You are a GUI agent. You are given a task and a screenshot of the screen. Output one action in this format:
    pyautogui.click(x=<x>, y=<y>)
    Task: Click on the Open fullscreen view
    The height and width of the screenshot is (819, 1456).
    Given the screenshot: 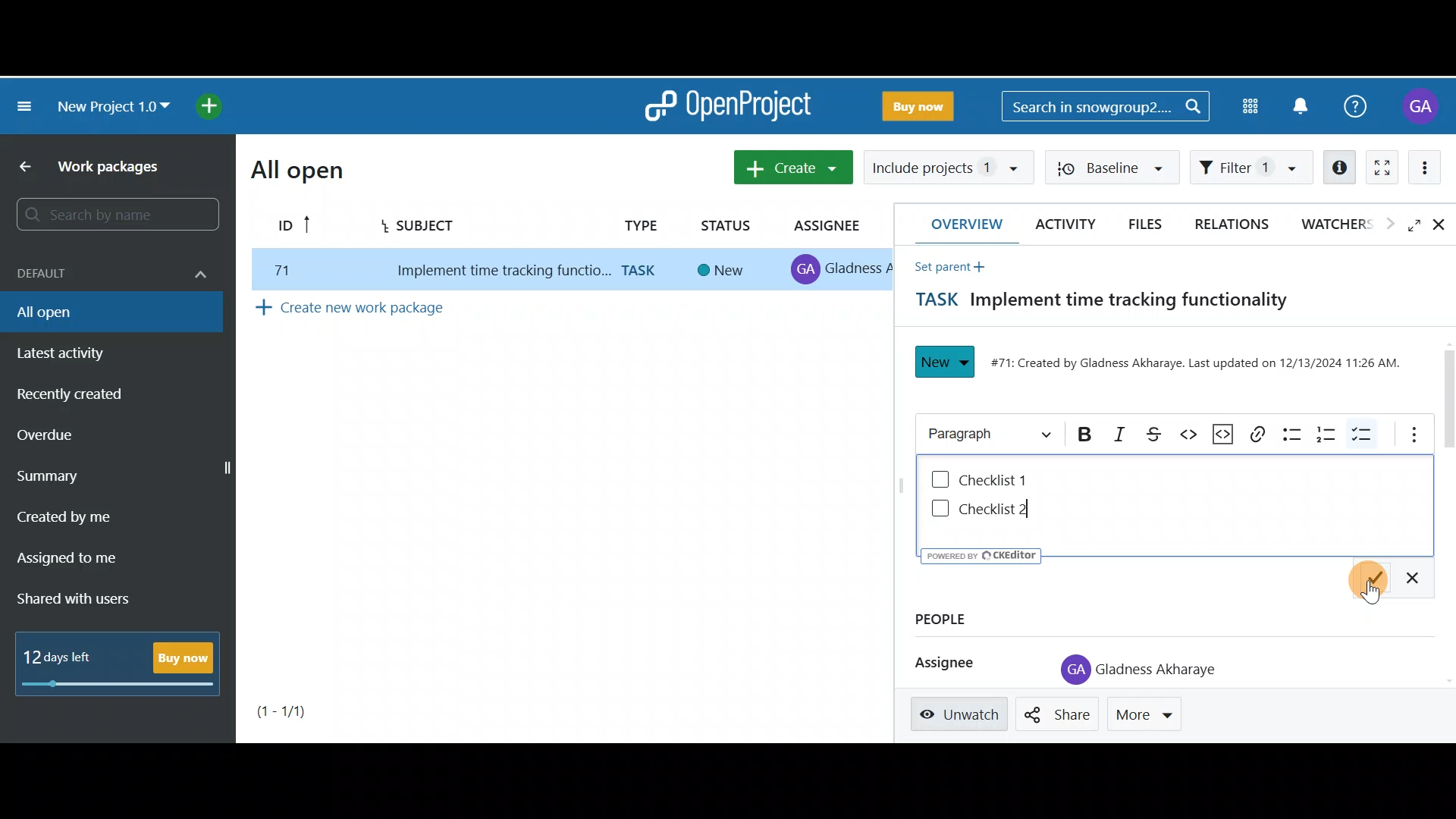 What is the action you would take?
    pyautogui.click(x=1404, y=226)
    